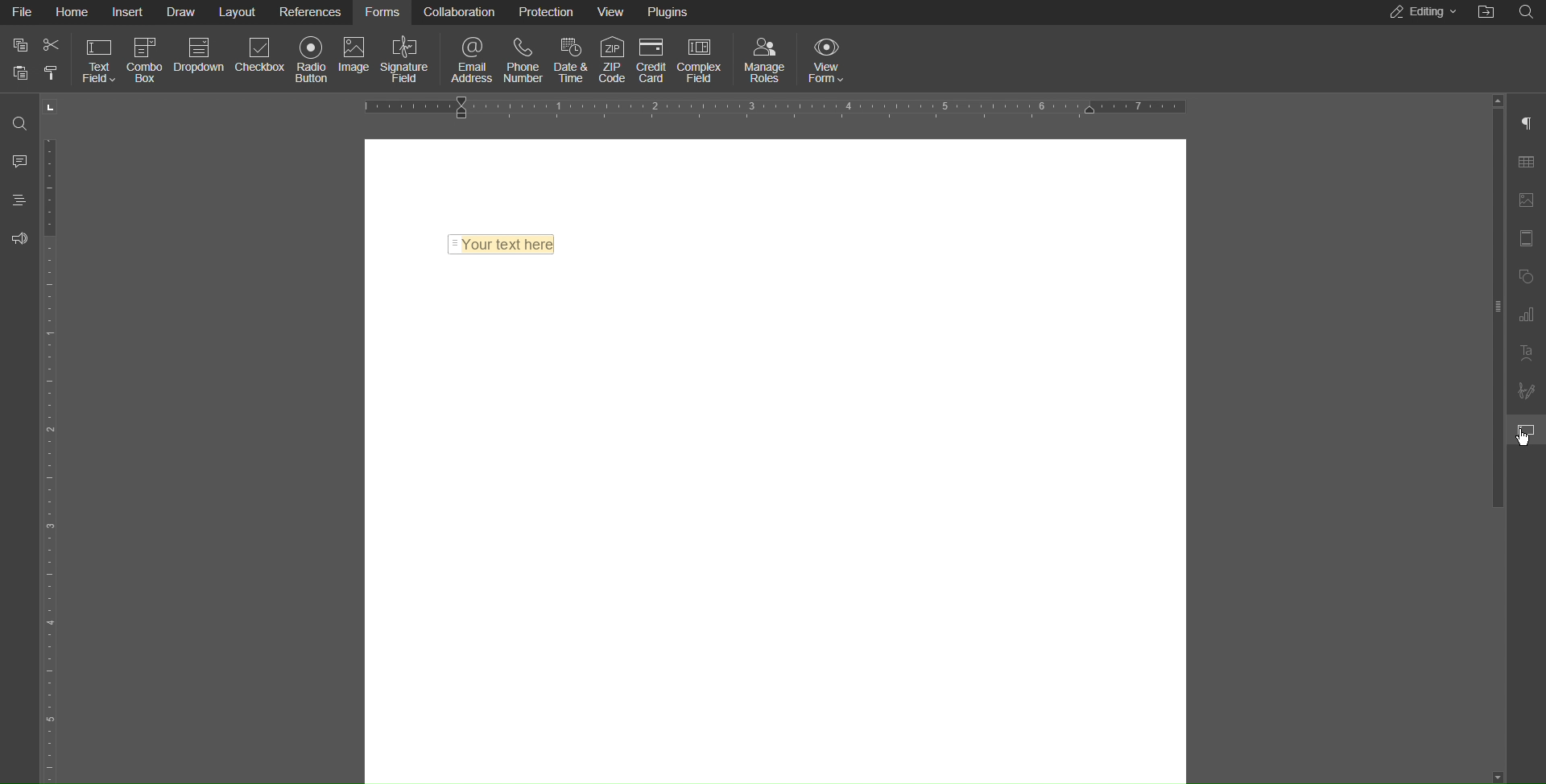 This screenshot has width=1546, height=784. I want to click on Feedback and Support, so click(19, 238).